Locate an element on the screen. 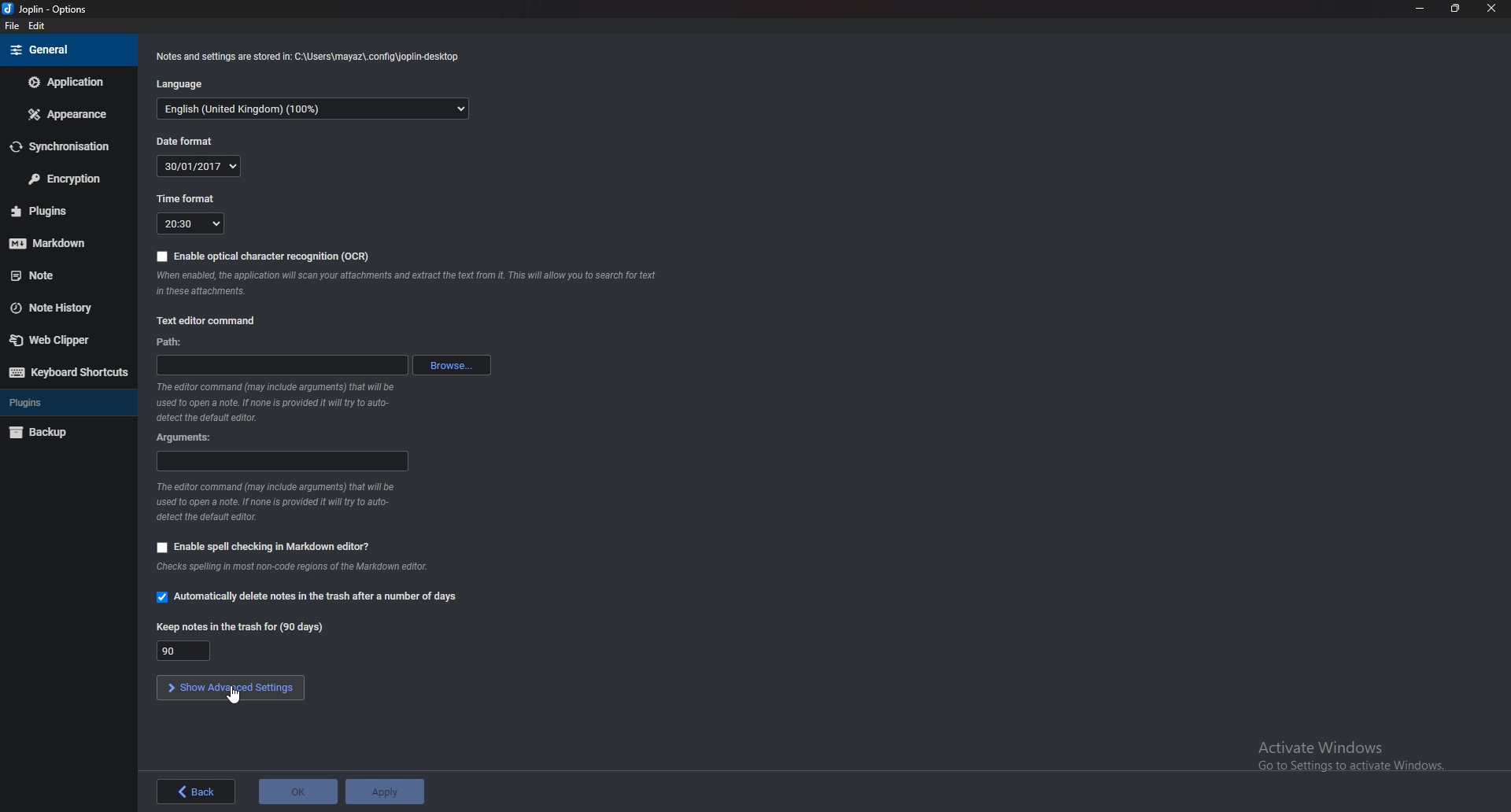  close is located at coordinates (1490, 9).